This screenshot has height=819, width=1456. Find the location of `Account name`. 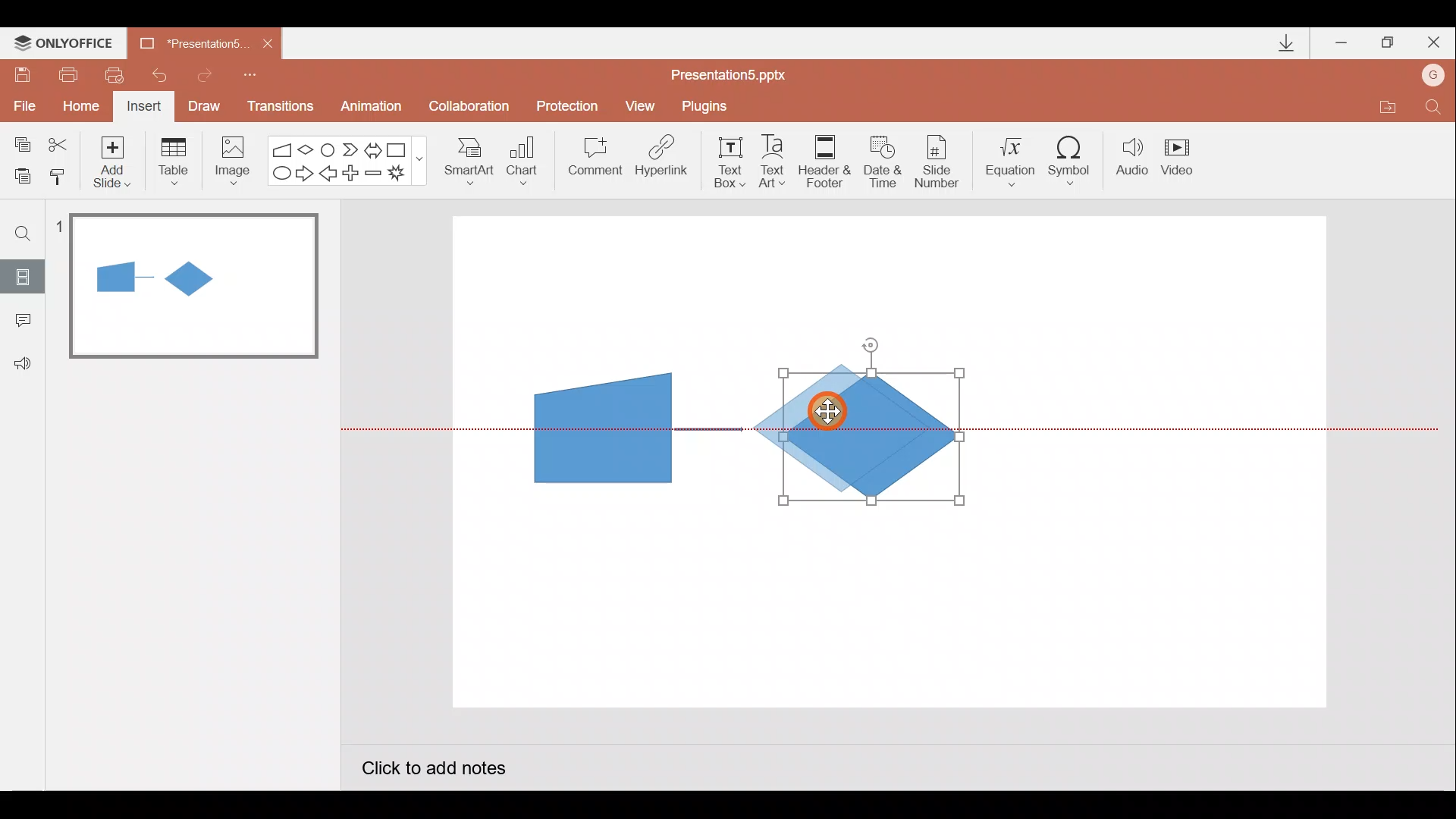

Account name is located at coordinates (1434, 77).